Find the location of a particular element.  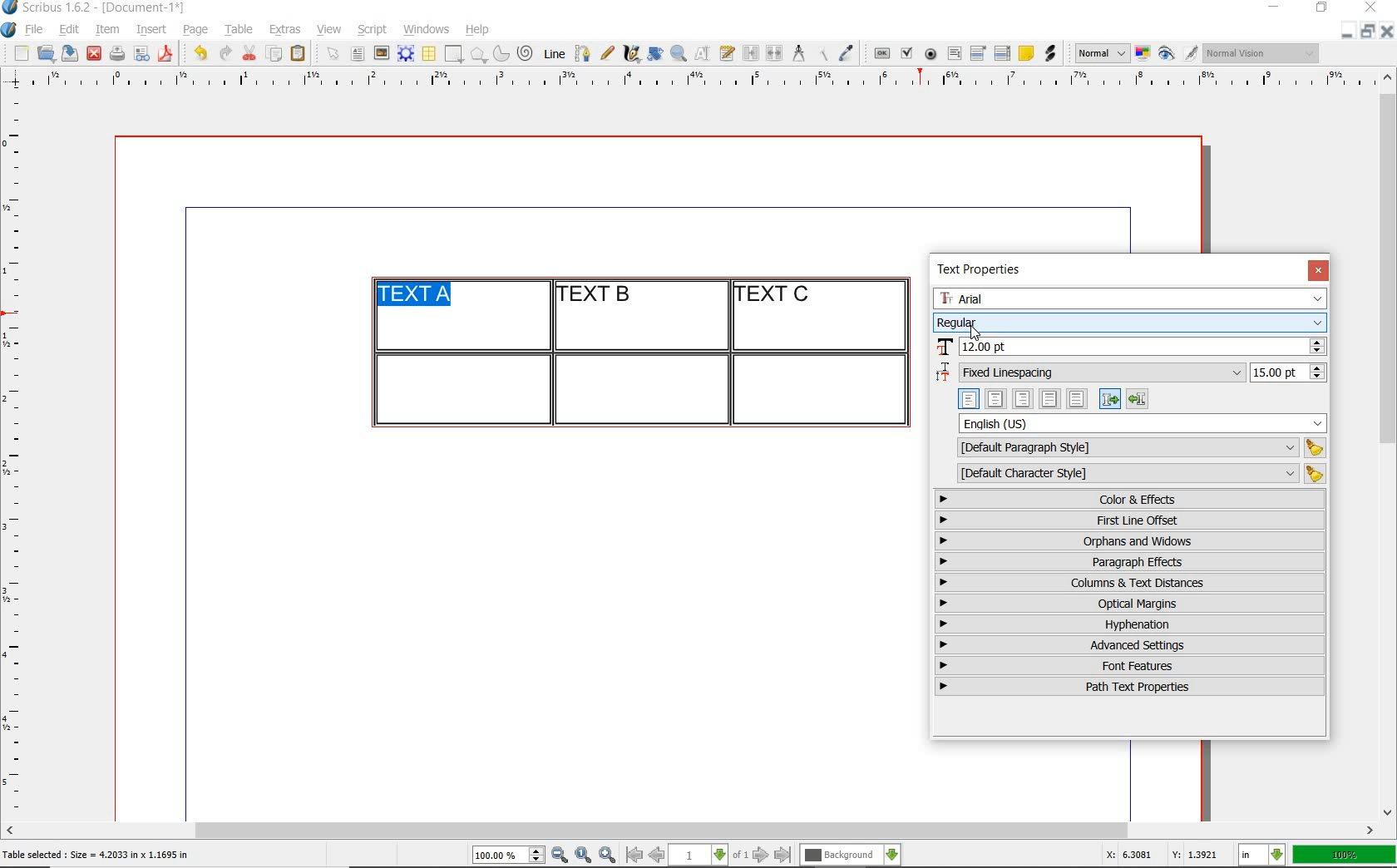

link text frames is located at coordinates (752, 55).